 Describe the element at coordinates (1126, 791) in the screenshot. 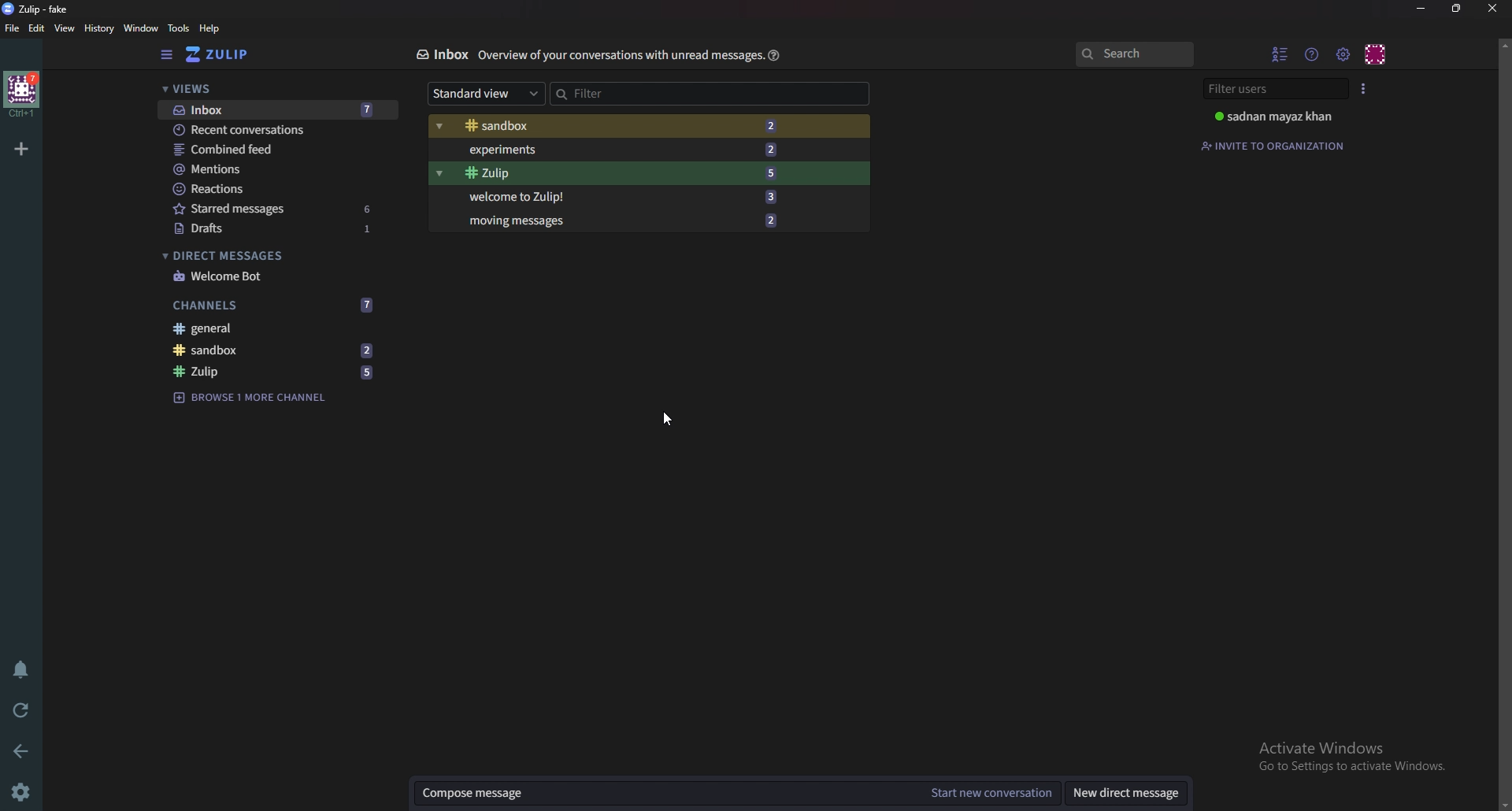

I see `New direct message` at that location.